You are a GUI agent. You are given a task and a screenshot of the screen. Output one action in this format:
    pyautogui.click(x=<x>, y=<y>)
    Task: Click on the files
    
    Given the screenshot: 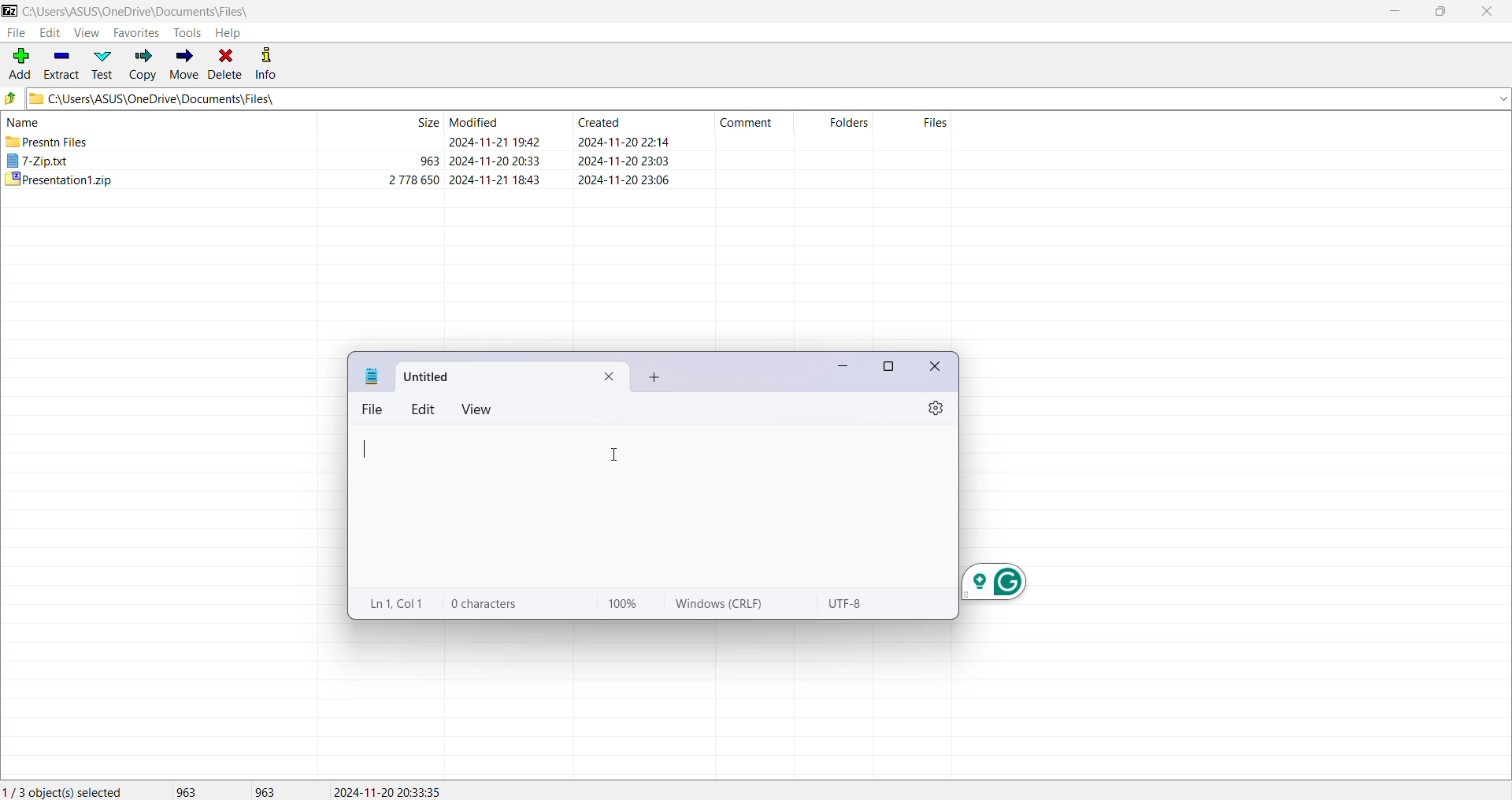 What is the action you would take?
    pyautogui.click(x=936, y=122)
    